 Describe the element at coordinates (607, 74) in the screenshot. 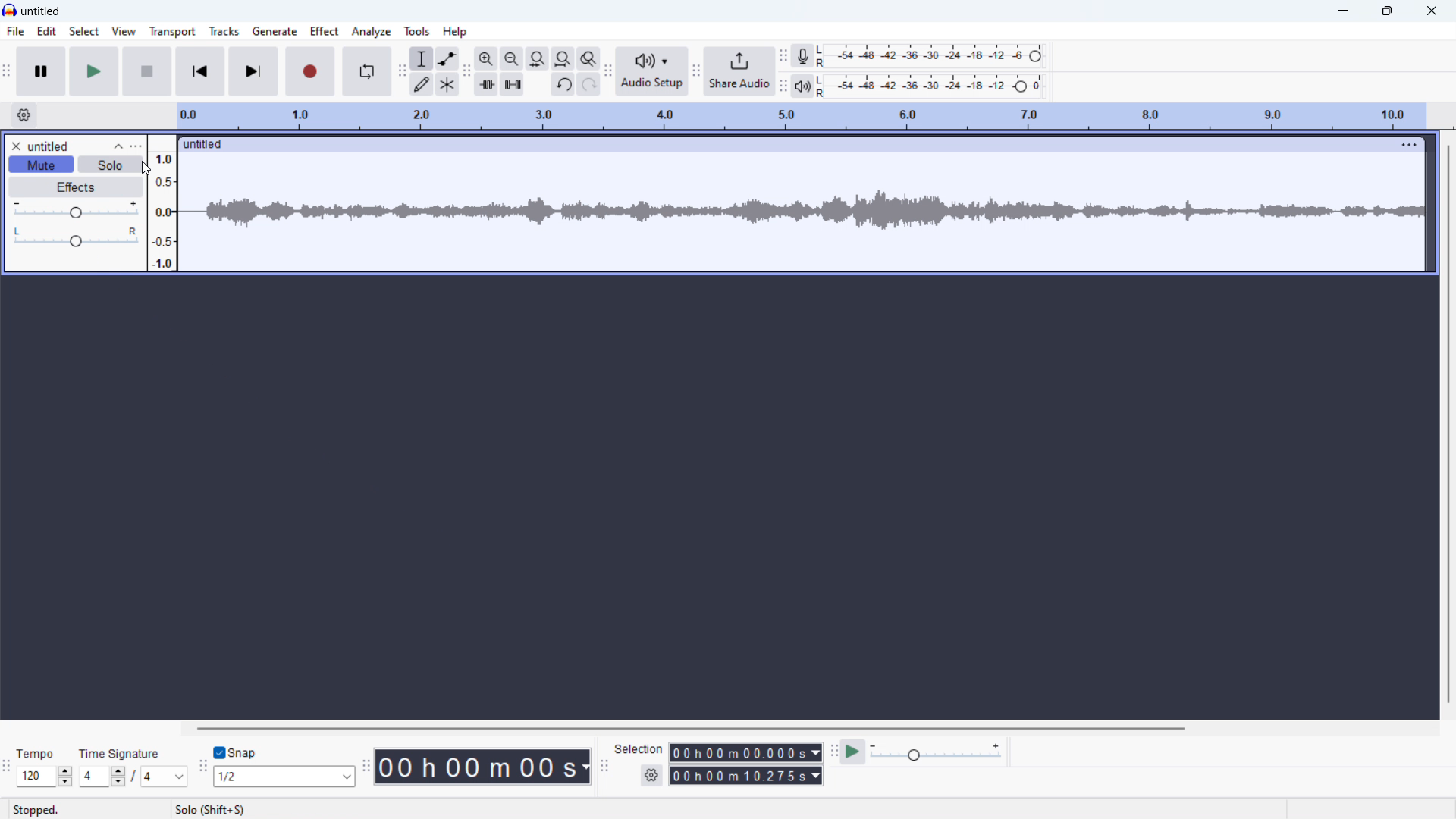

I see `audio setup toolbar` at that location.